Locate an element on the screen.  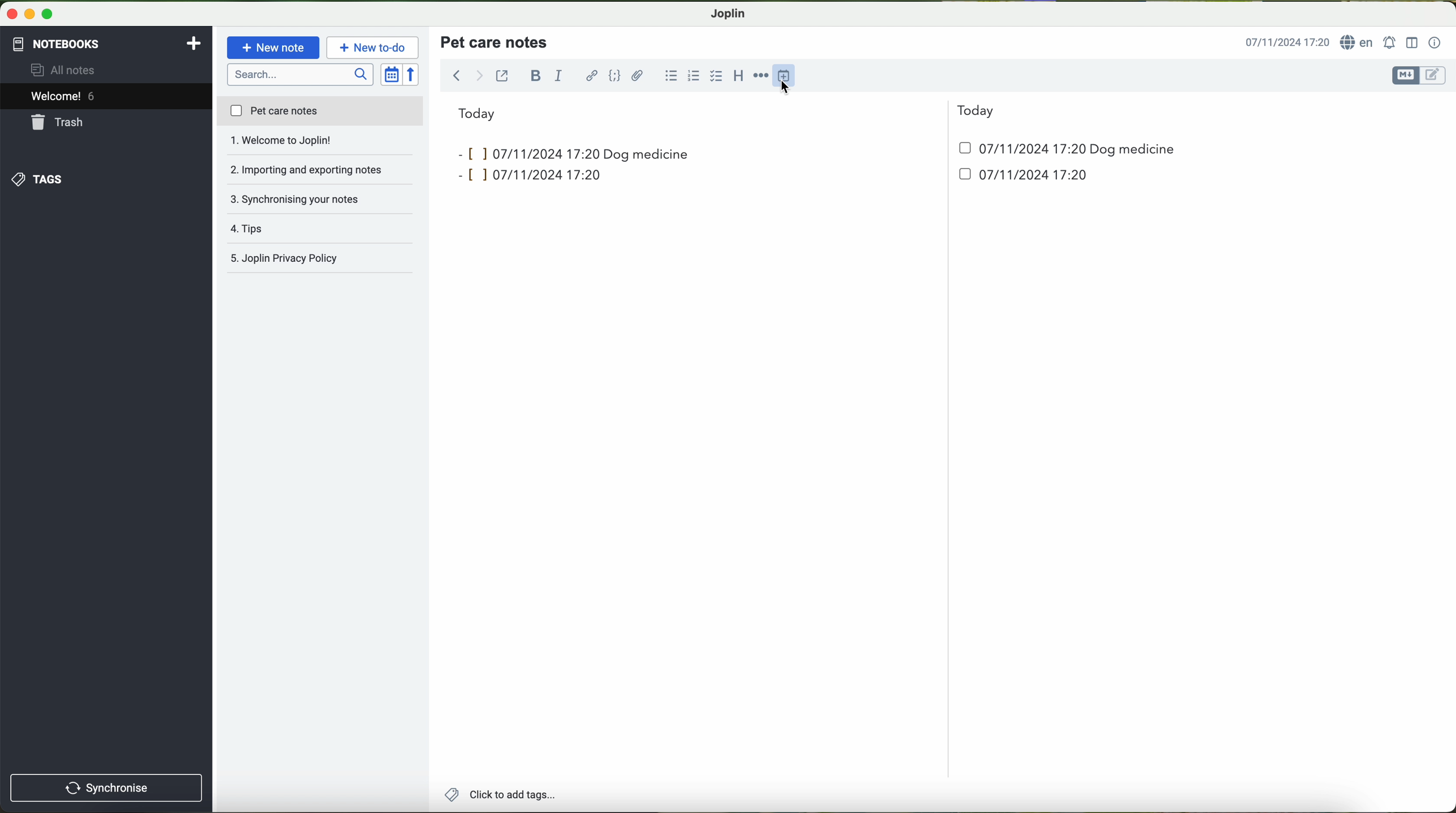
new note button is located at coordinates (274, 47).